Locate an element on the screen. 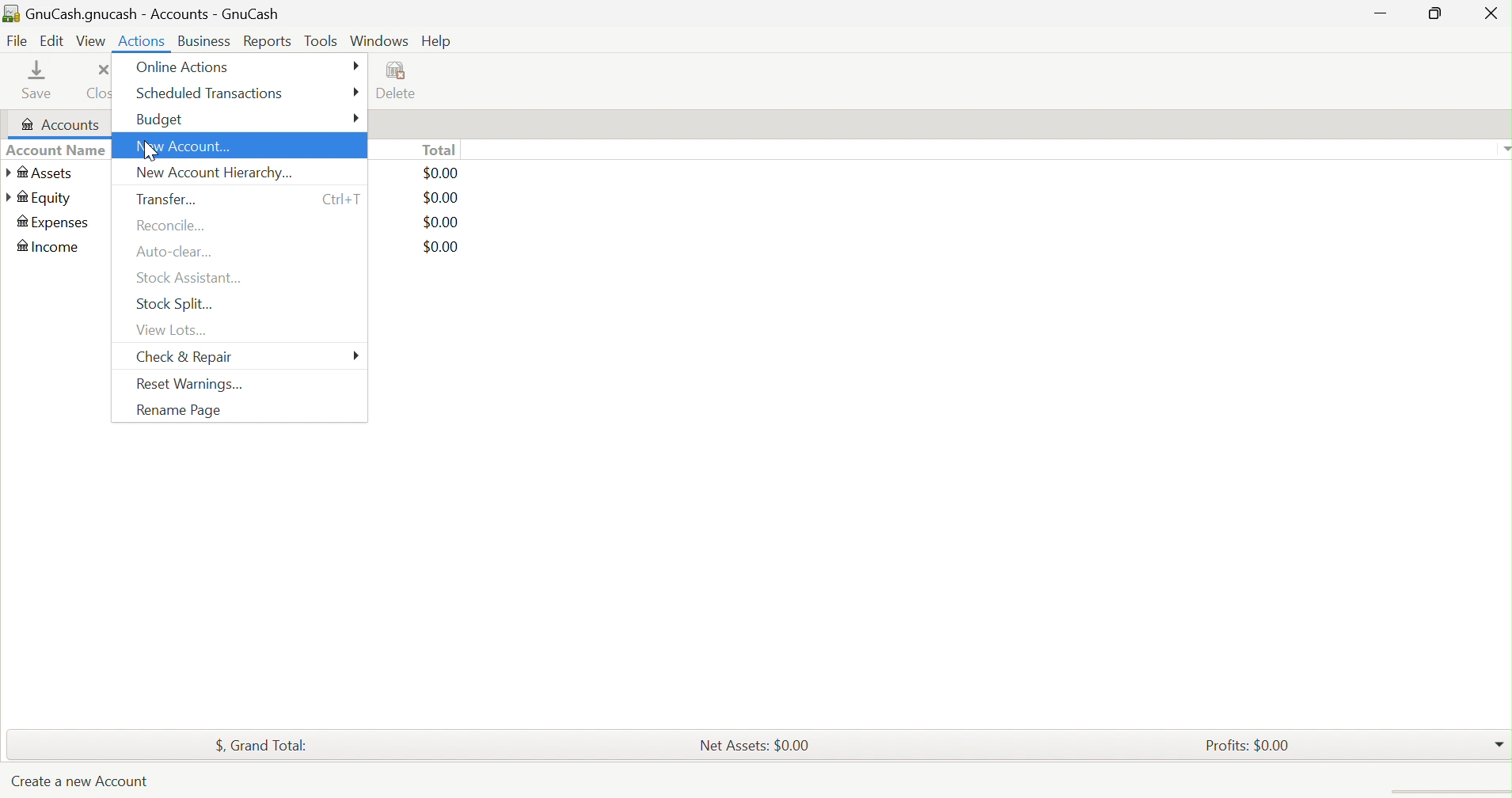 This screenshot has height=798, width=1512. $0.00 is located at coordinates (441, 222).